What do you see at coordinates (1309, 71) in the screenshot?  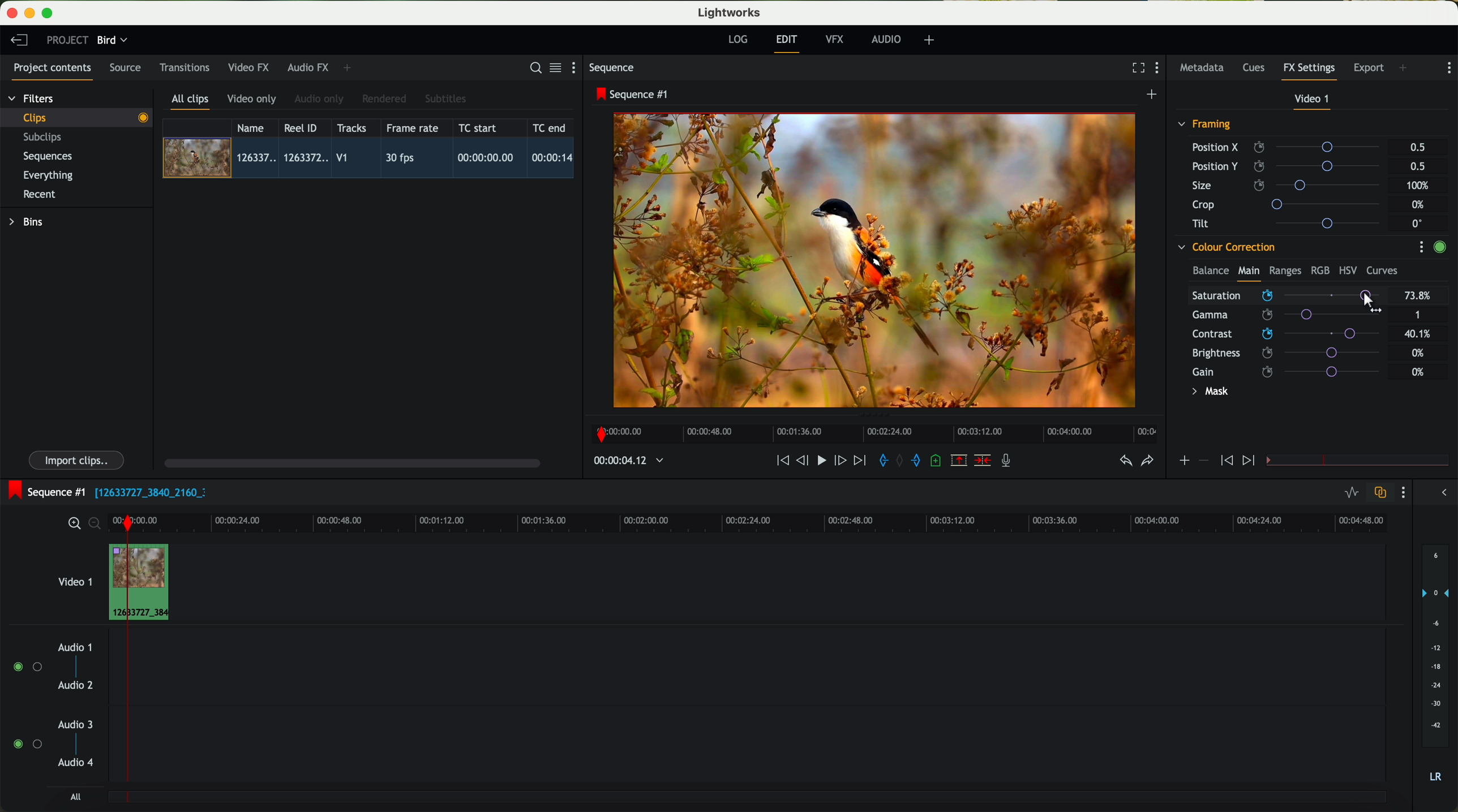 I see `fx settings` at bounding box center [1309, 71].